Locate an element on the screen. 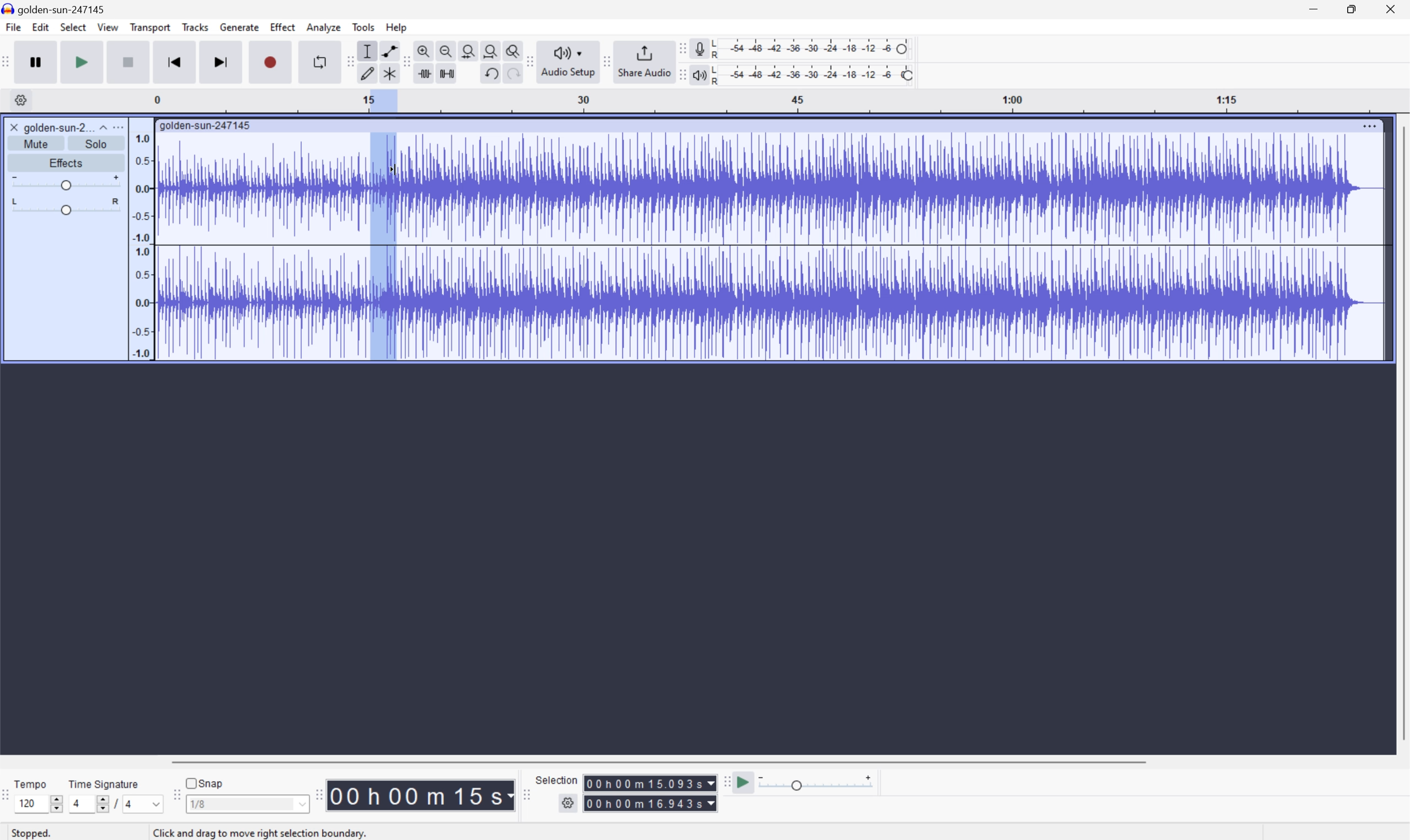 The width and height of the screenshot is (1410, 840). Drop Down is located at coordinates (301, 806).